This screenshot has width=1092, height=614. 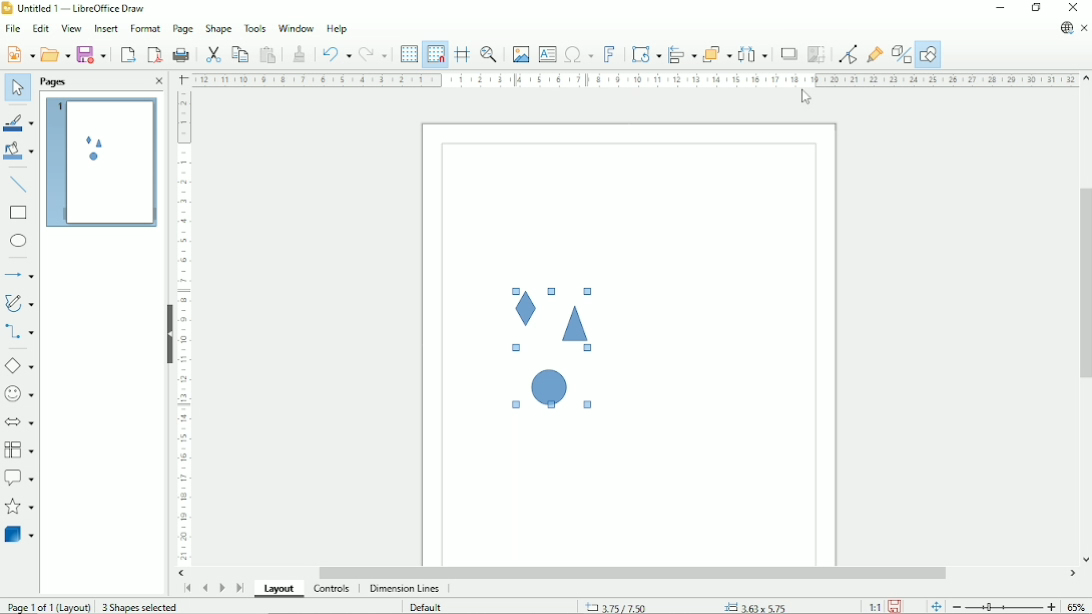 What do you see at coordinates (186, 589) in the screenshot?
I see `Scroll to first page` at bounding box center [186, 589].